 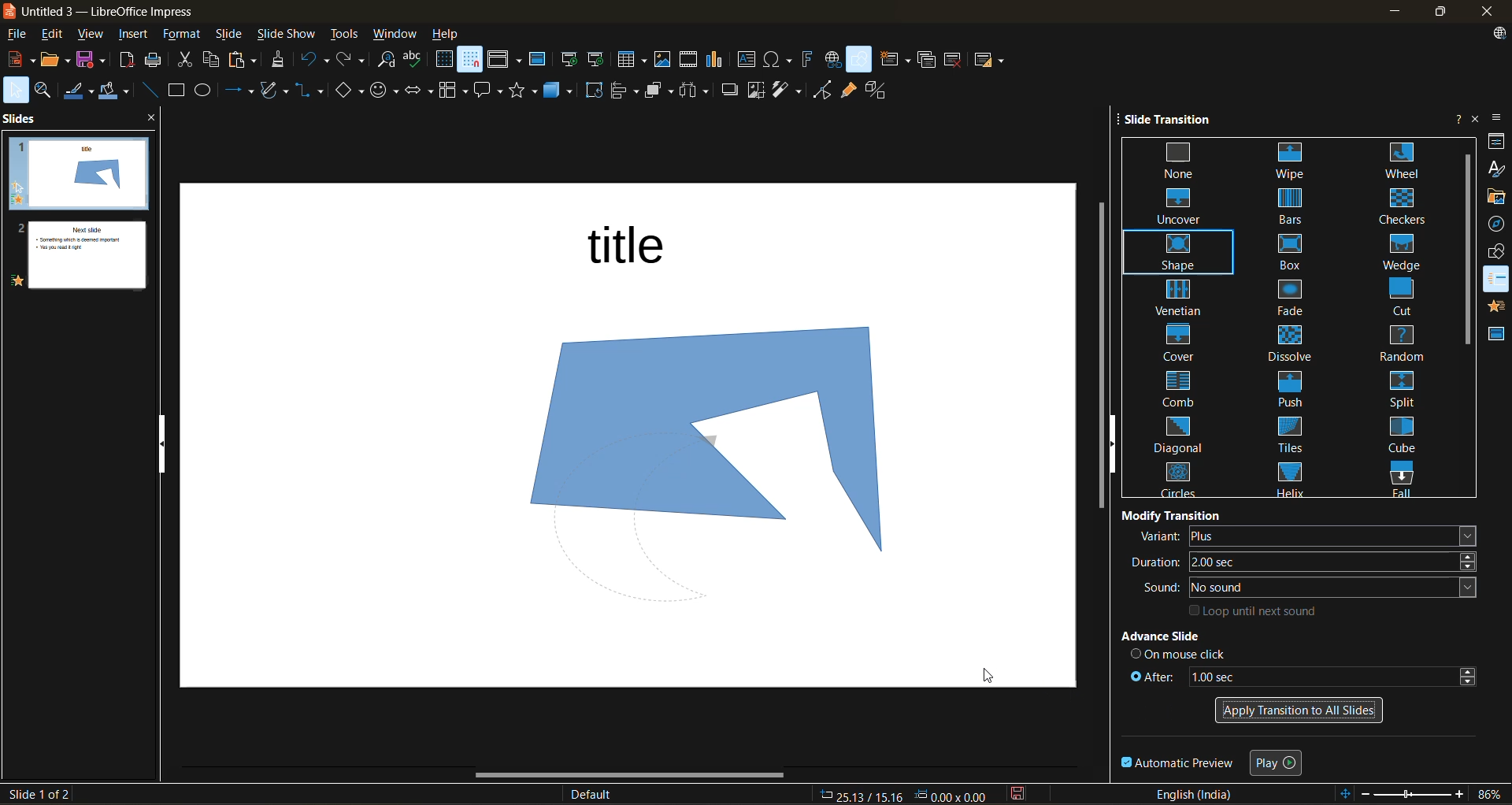 What do you see at coordinates (1173, 514) in the screenshot?
I see `modify transition` at bounding box center [1173, 514].